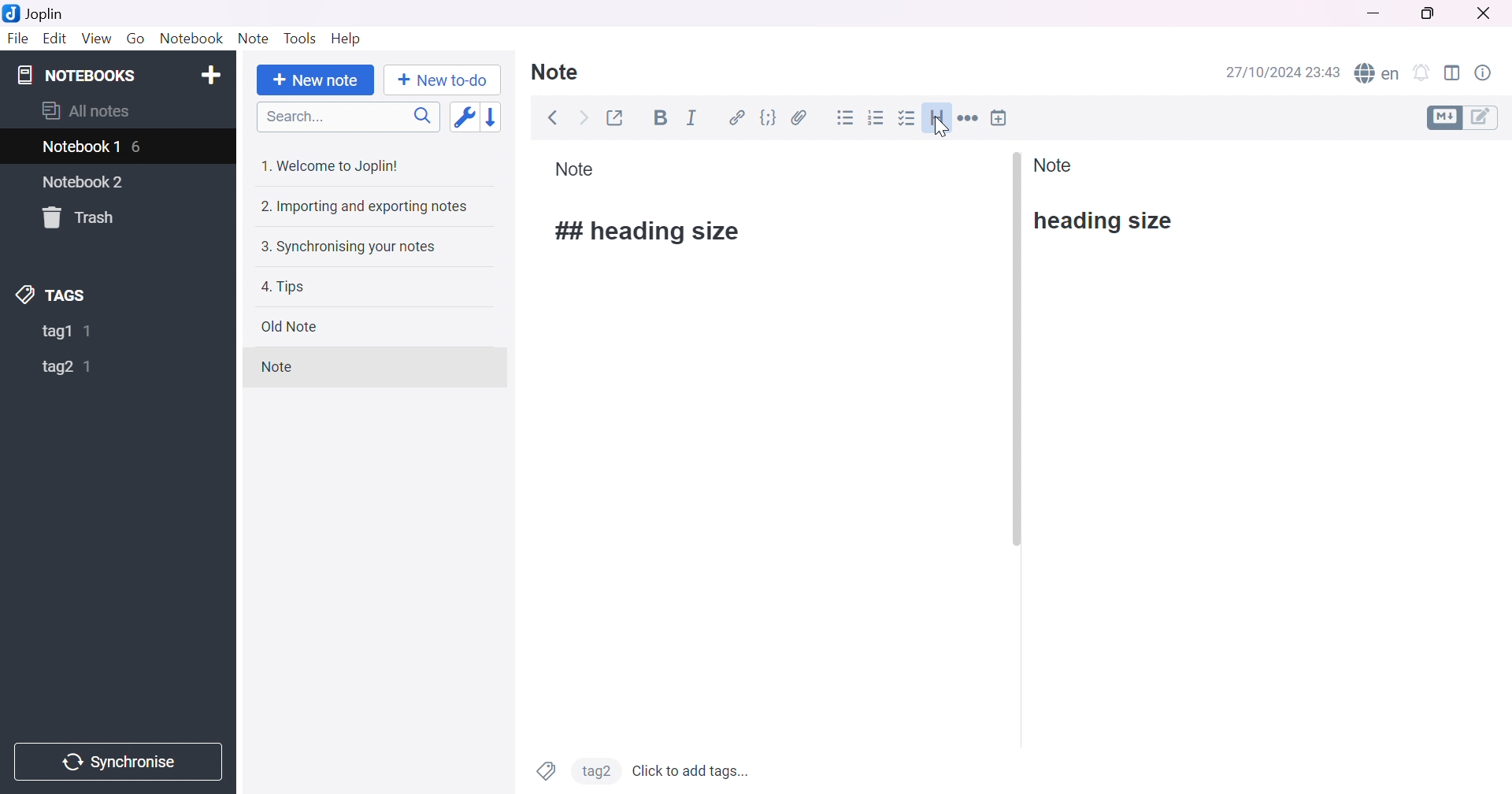  I want to click on Note properties, so click(1484, 73).